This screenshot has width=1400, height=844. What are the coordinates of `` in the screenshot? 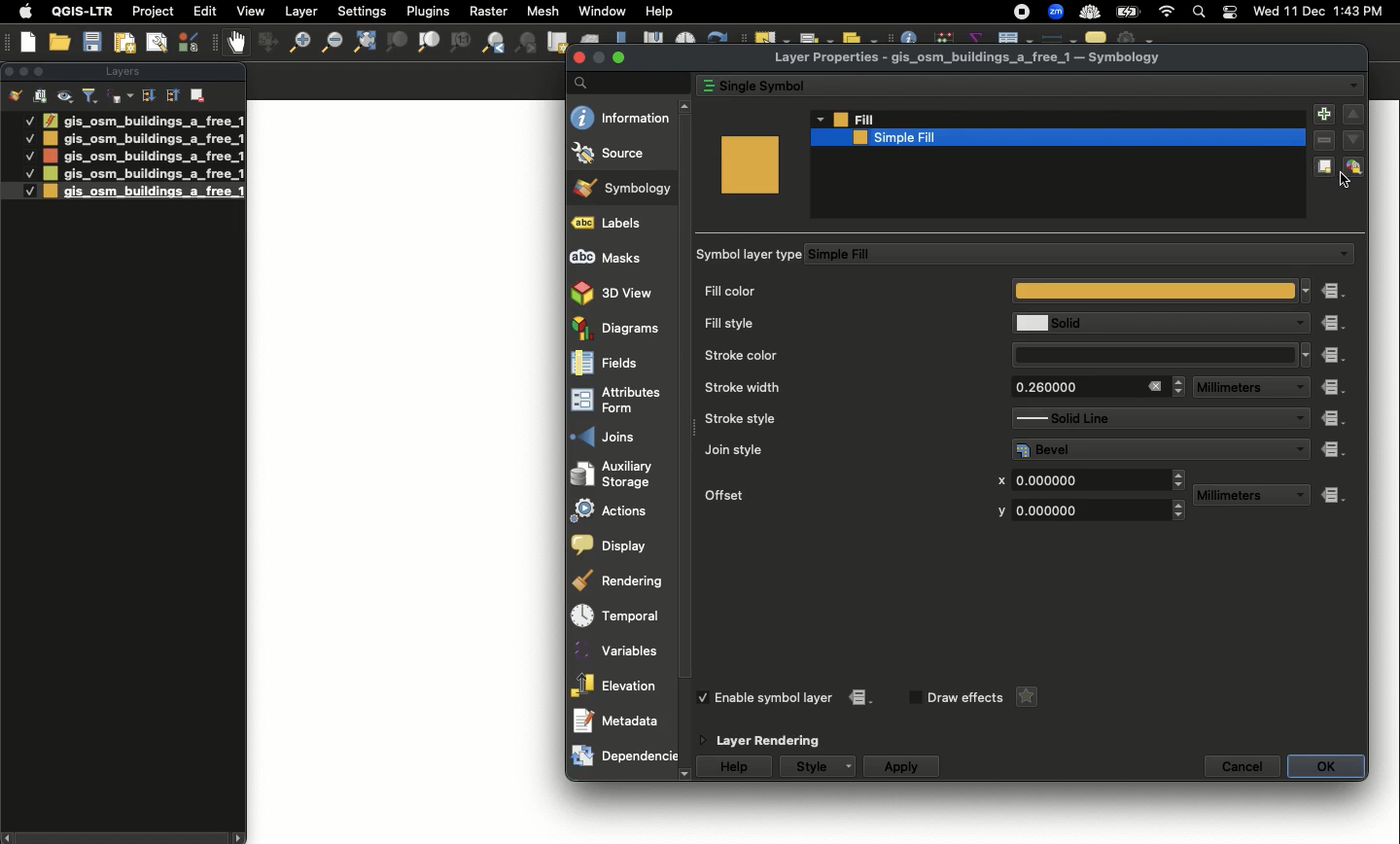 It's located at (1335, 494).